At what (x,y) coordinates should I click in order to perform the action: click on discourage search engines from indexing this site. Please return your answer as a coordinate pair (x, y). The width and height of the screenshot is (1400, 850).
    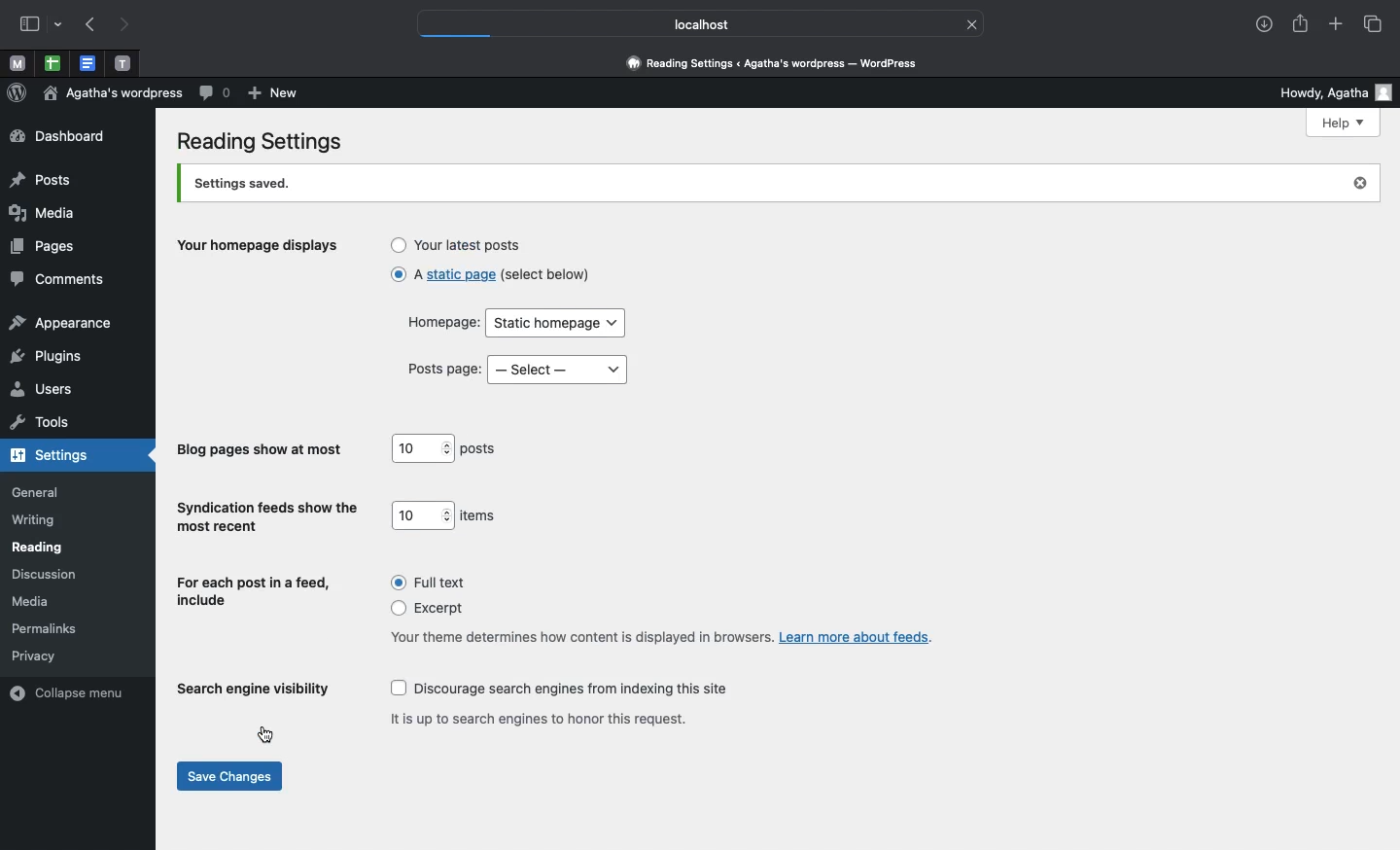
    Looking at the image, I should click on (555, 689).